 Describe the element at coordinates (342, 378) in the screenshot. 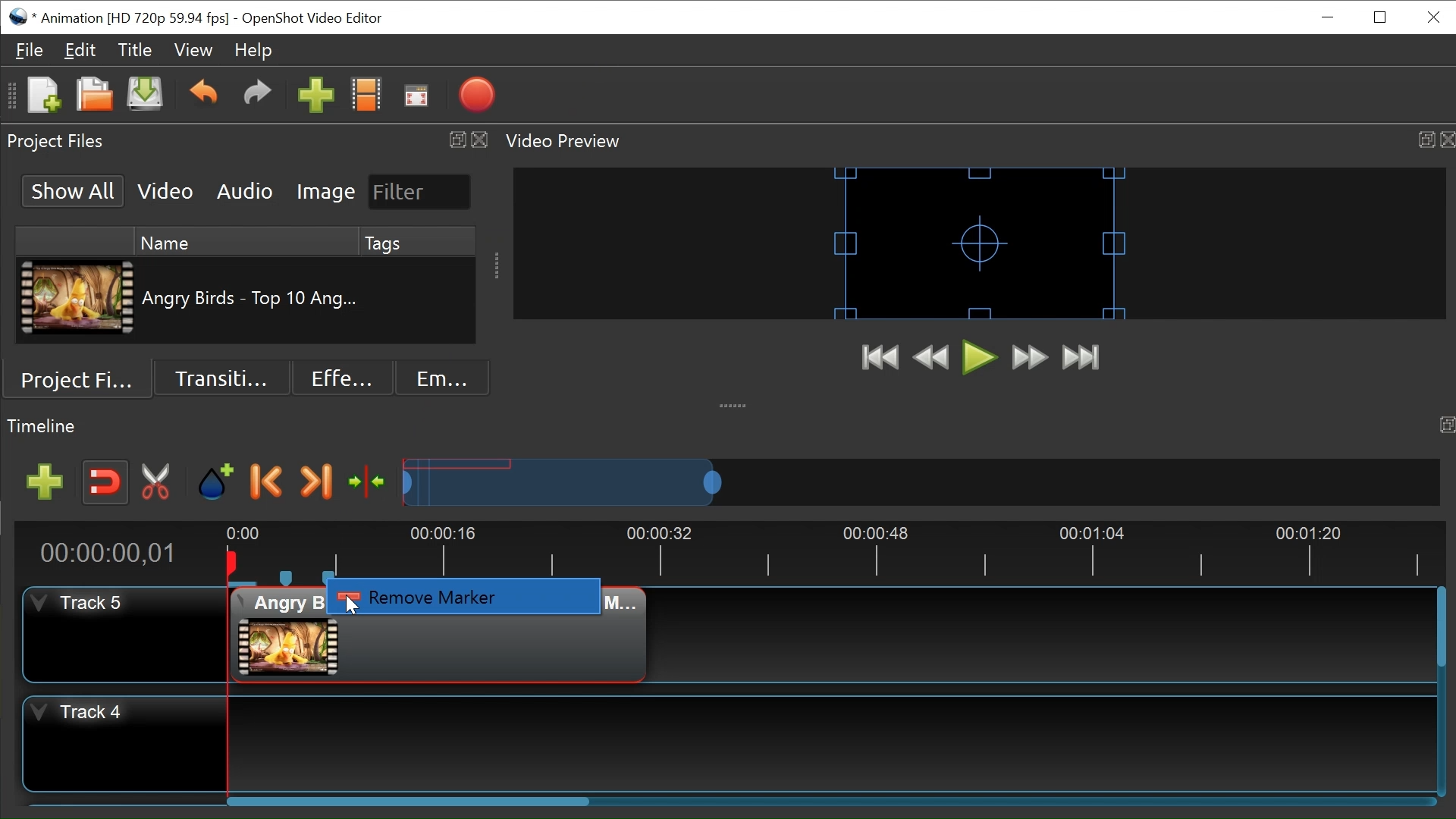

I see `Effects` at that location.